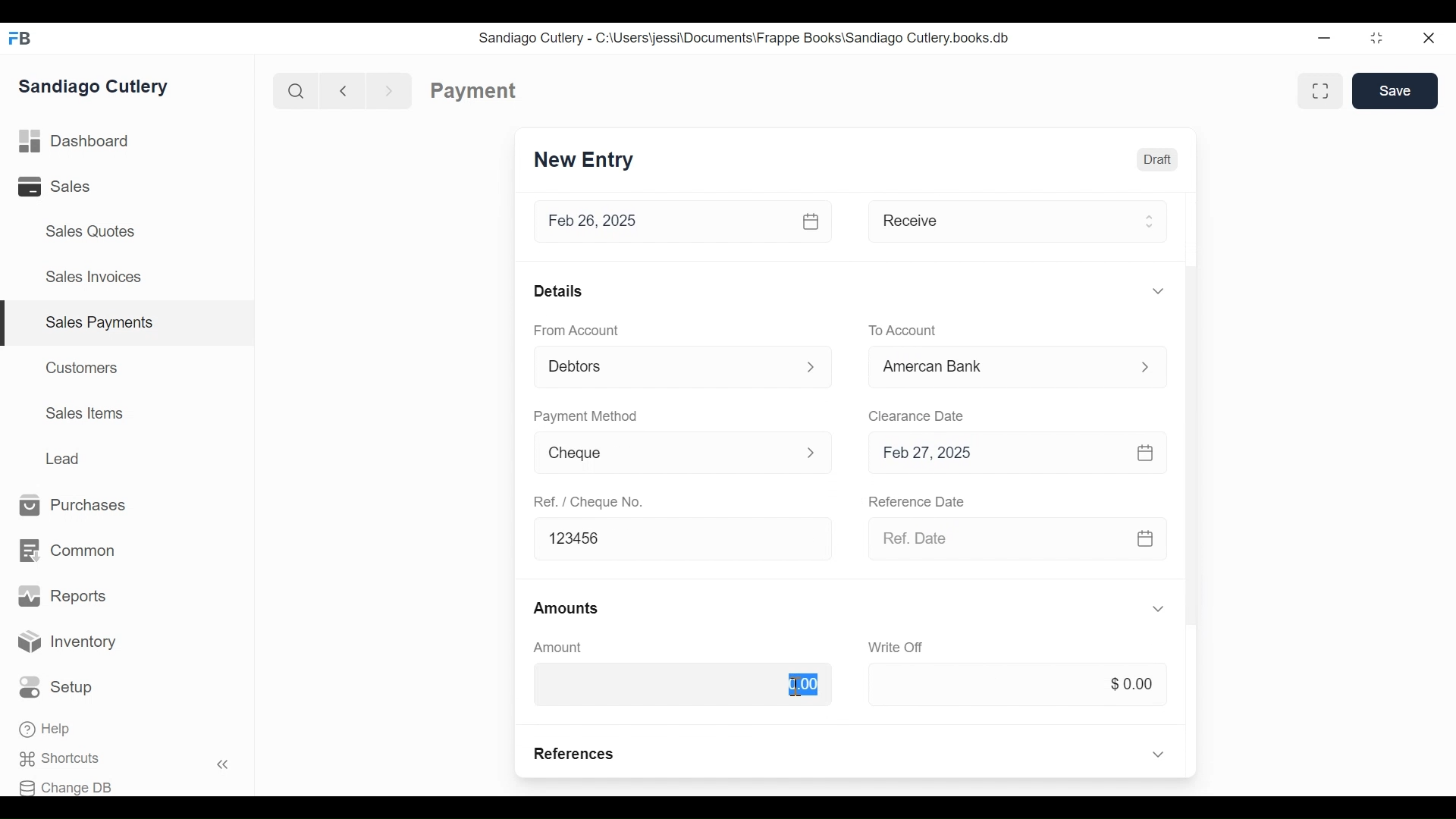 This screenshot has width=1456, height=819. What do you see at coordinates (568, 609) in the screenshot?
I see `Amounts` at bounding box center [568, 609].